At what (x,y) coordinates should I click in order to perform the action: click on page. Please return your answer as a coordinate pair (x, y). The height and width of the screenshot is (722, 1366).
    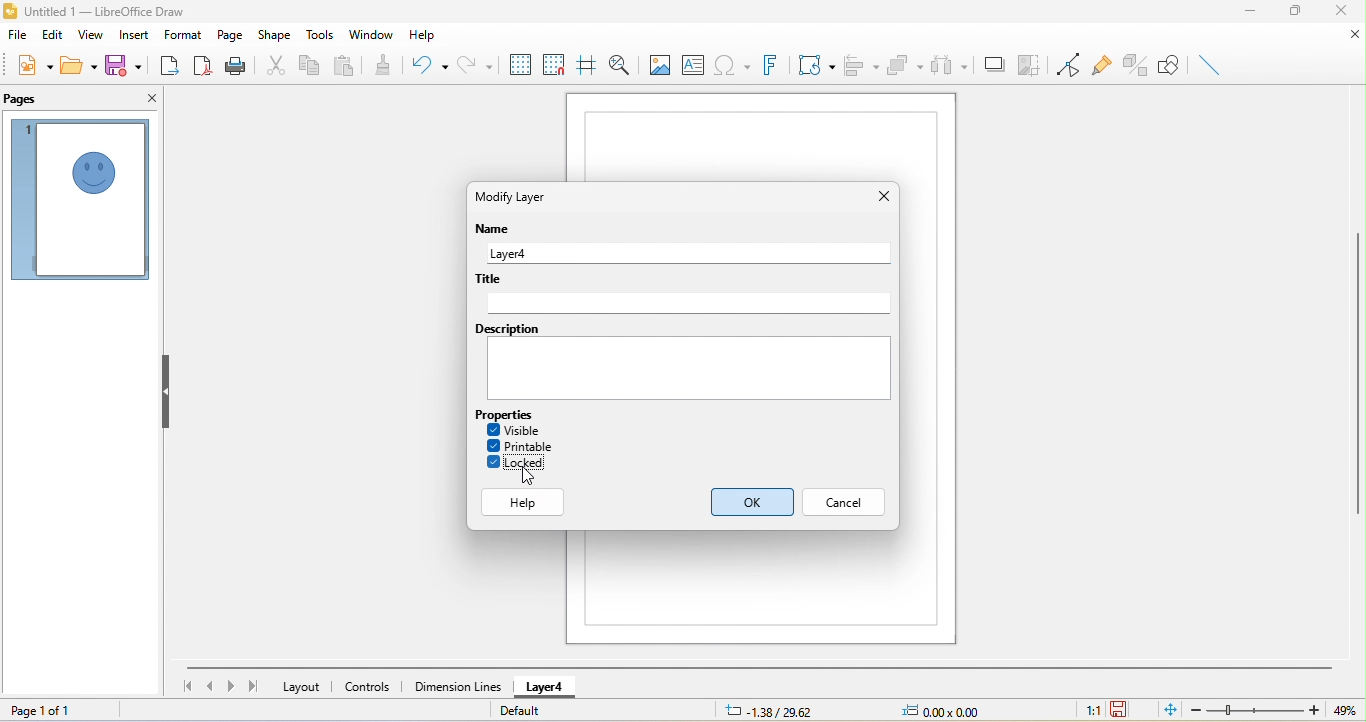
    Looking at the image, I should click on (229, 36).